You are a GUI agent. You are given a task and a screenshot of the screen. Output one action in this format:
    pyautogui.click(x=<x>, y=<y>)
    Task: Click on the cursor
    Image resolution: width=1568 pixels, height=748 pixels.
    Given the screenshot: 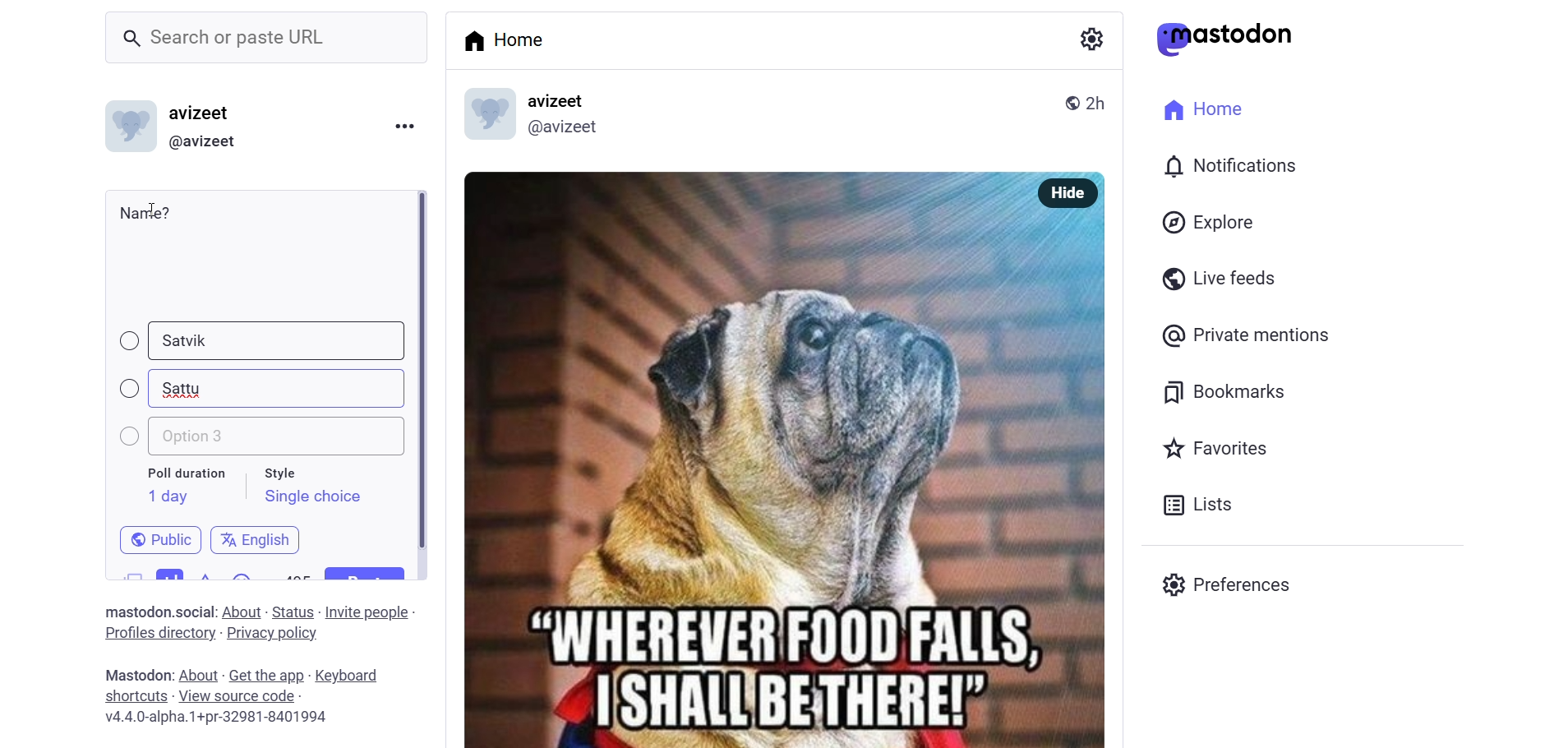 What is the action you would take?
    pyautogui.click(x=160, y=208)
    